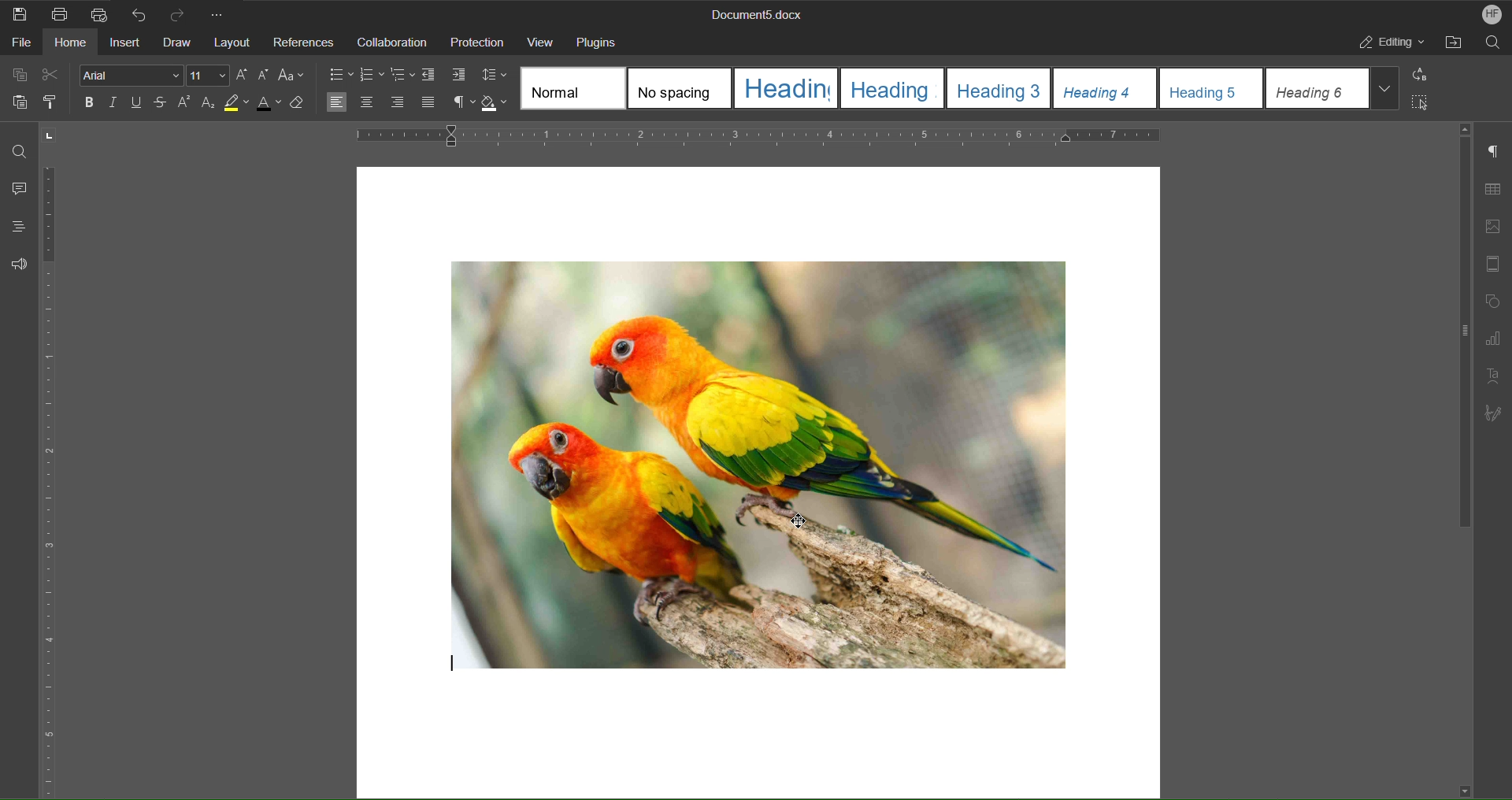 This screenshot has height=800, width=1512. What do you see at coordinates (372, 74) in the screenshot?
I see `Lists` at bounding box center [372, 74].